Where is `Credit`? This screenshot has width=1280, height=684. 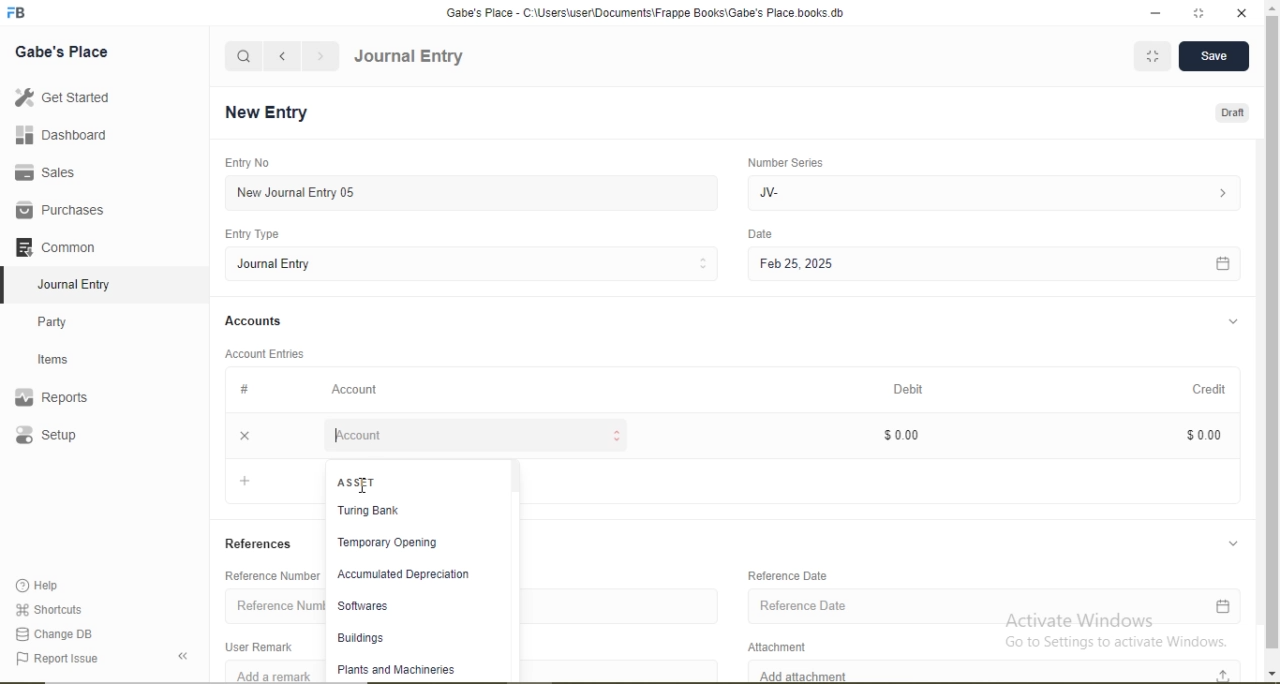 Credit is located at coordinates (1206, 388).